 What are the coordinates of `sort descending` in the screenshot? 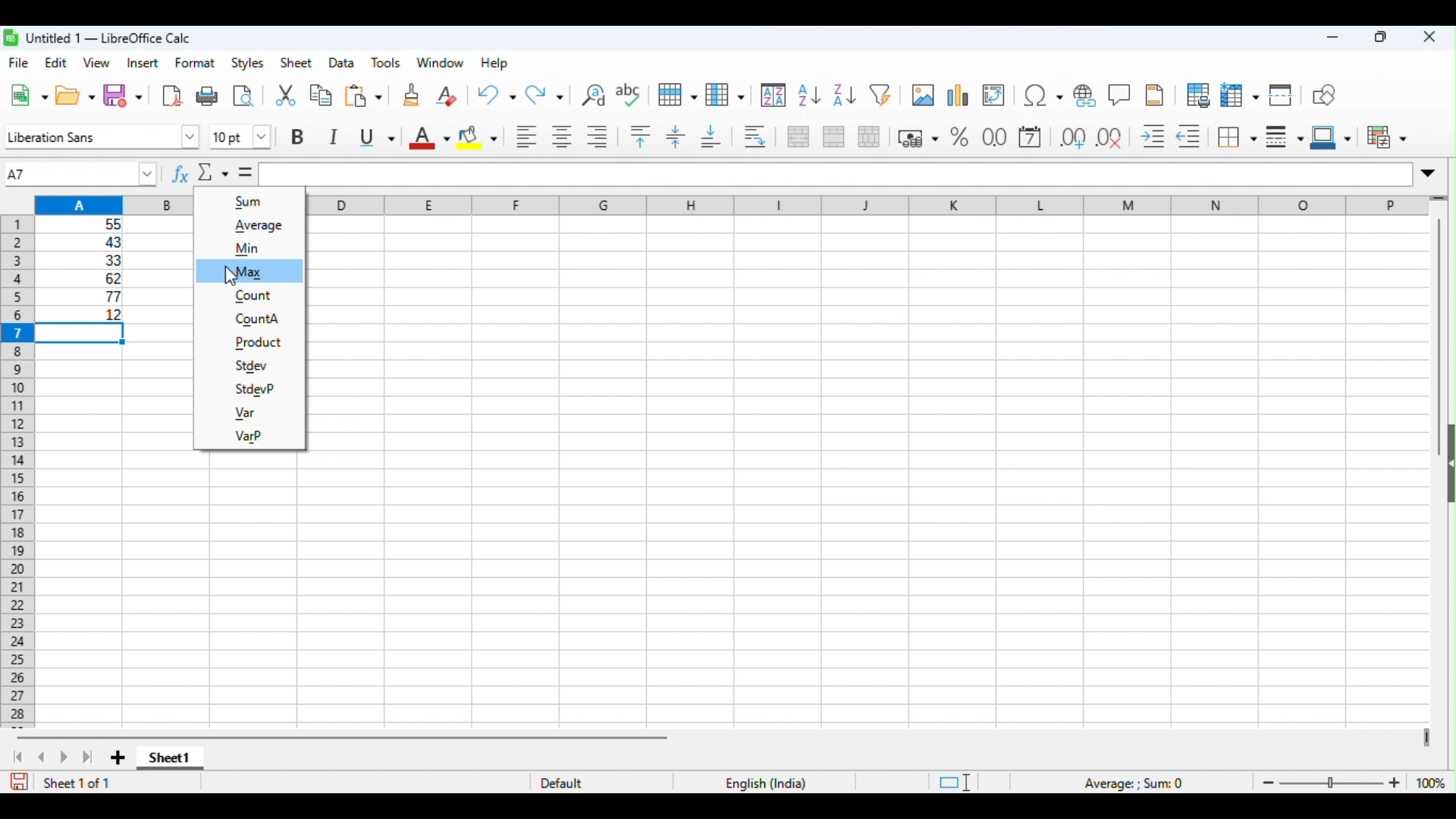 It's located at (841, 96).